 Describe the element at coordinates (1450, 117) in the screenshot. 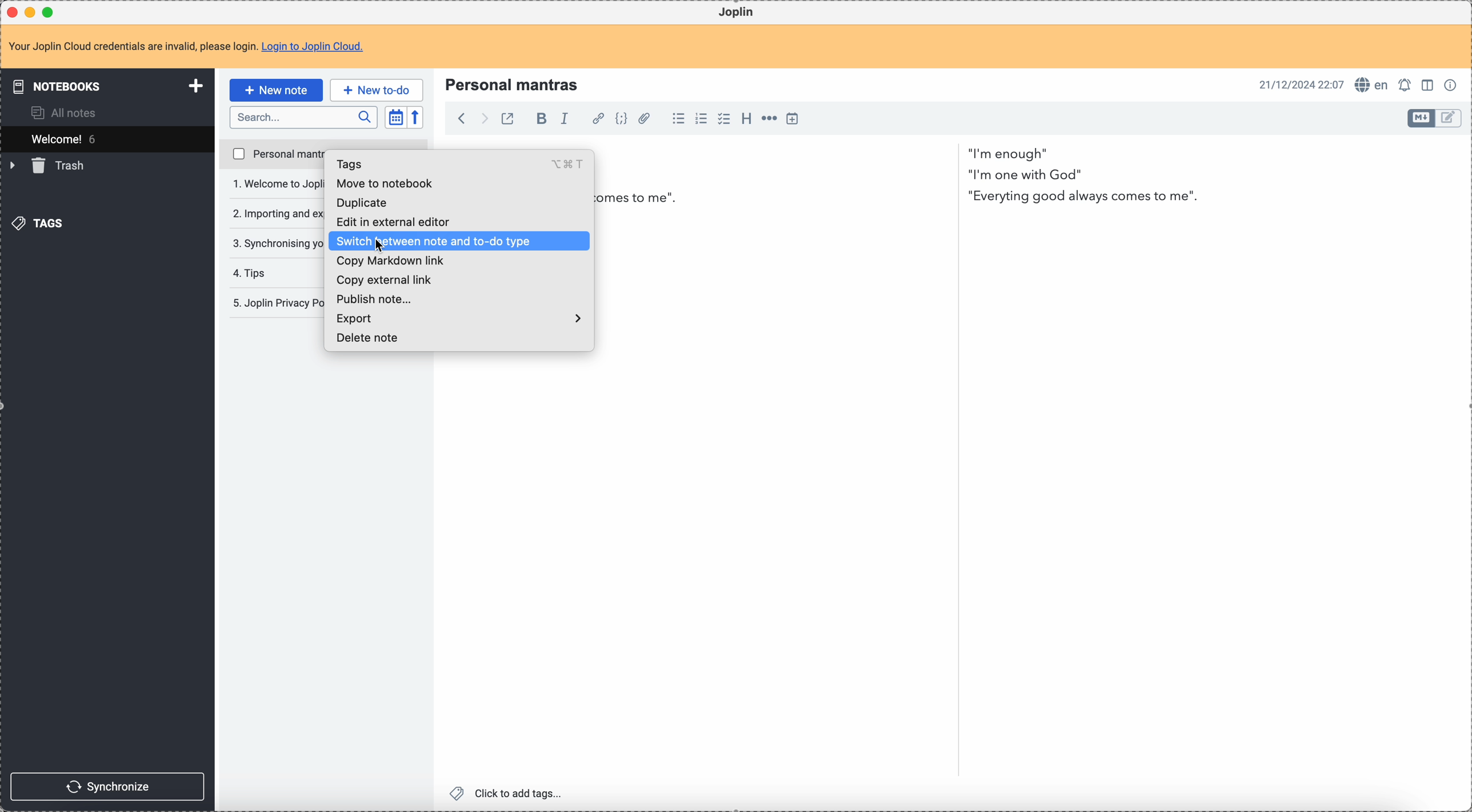

I see `toggle editor layout` at that location.